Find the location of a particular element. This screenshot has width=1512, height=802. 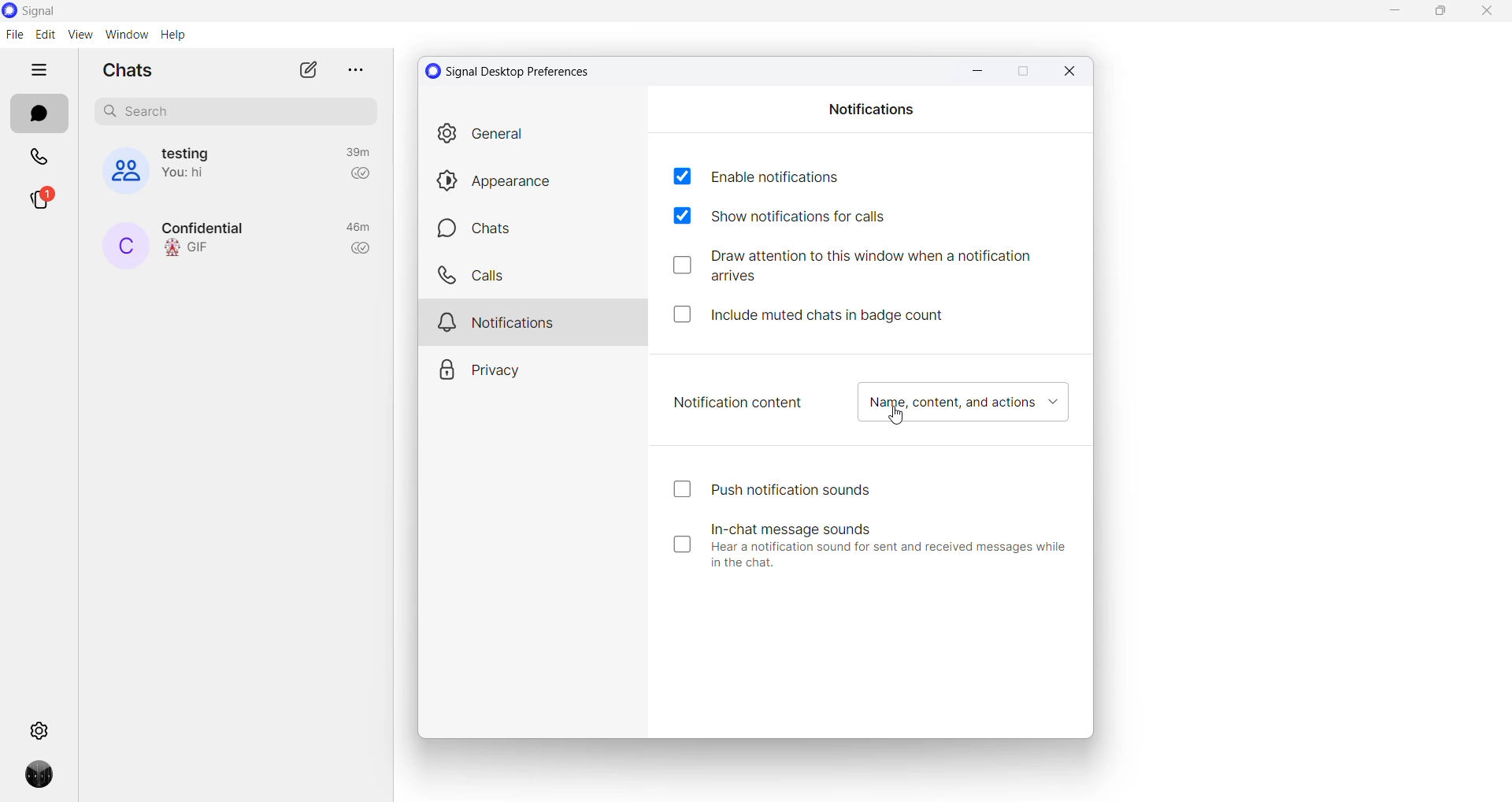

notification is located at coordinates (536, 319).